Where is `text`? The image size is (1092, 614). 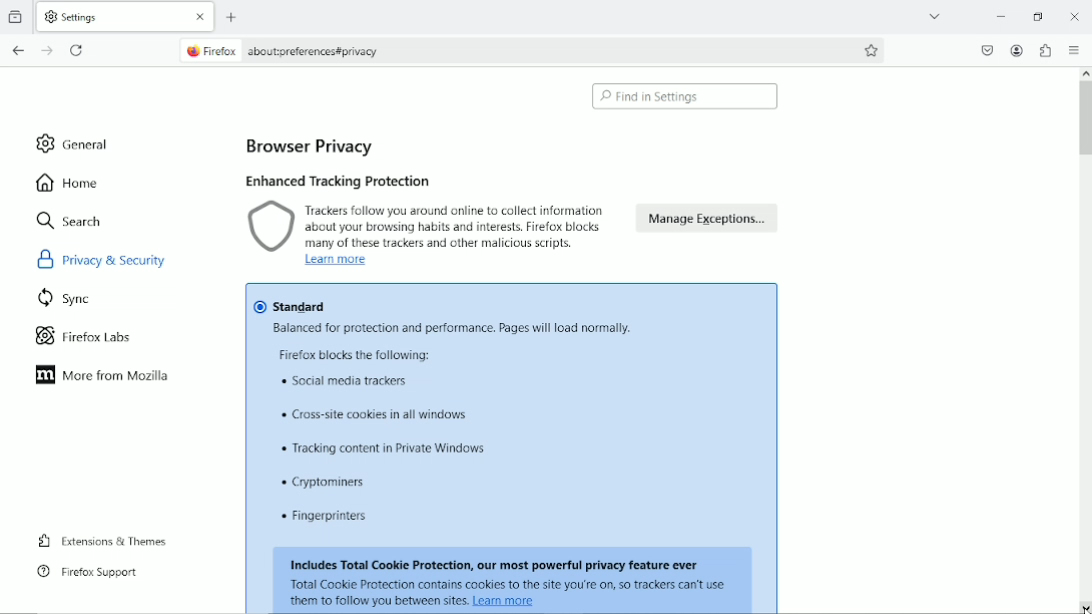
text is located at coordinates (386, 450).